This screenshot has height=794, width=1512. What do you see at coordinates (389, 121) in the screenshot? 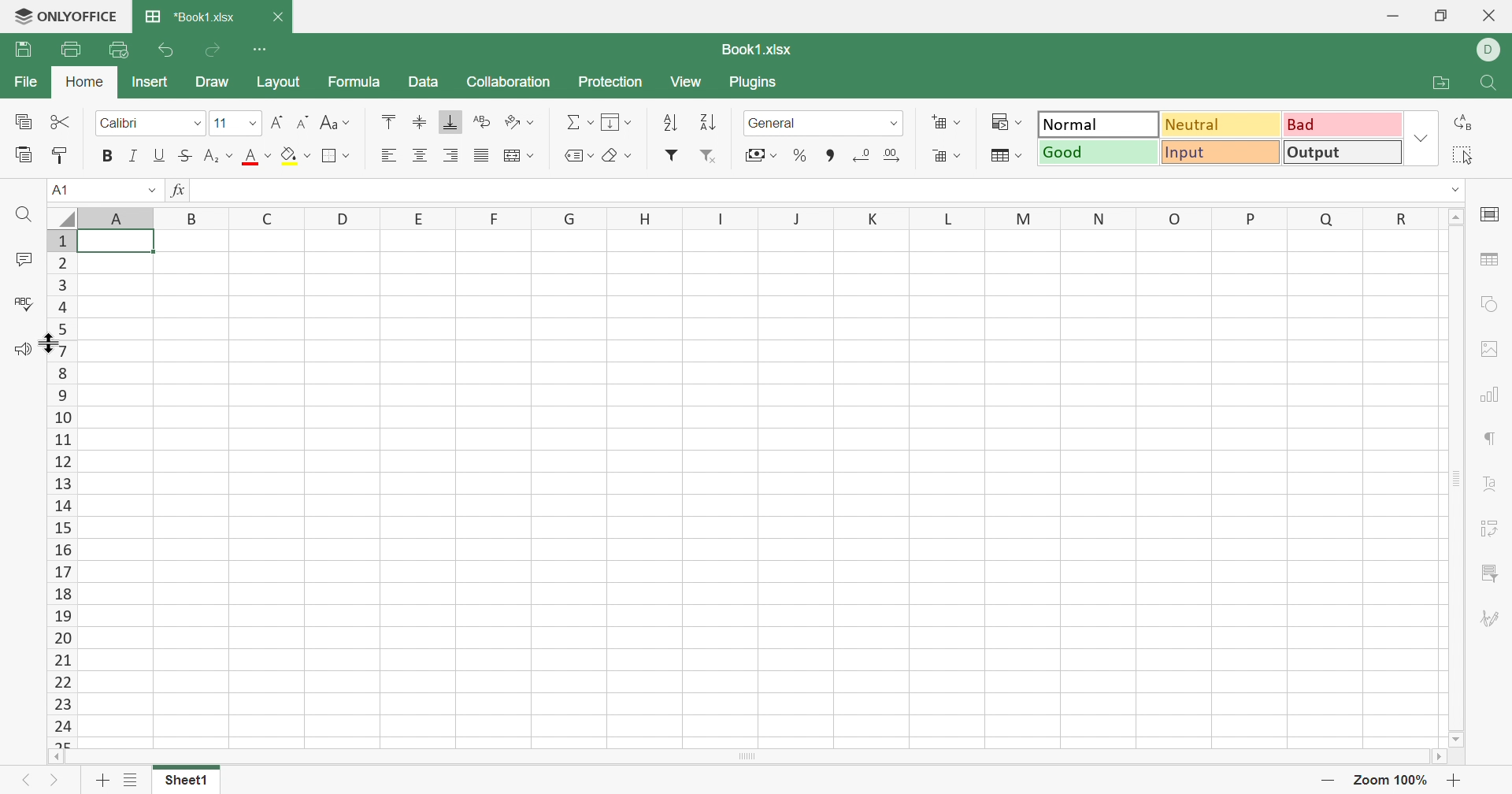
I see `Align Top` at bounding box center [389, 121].